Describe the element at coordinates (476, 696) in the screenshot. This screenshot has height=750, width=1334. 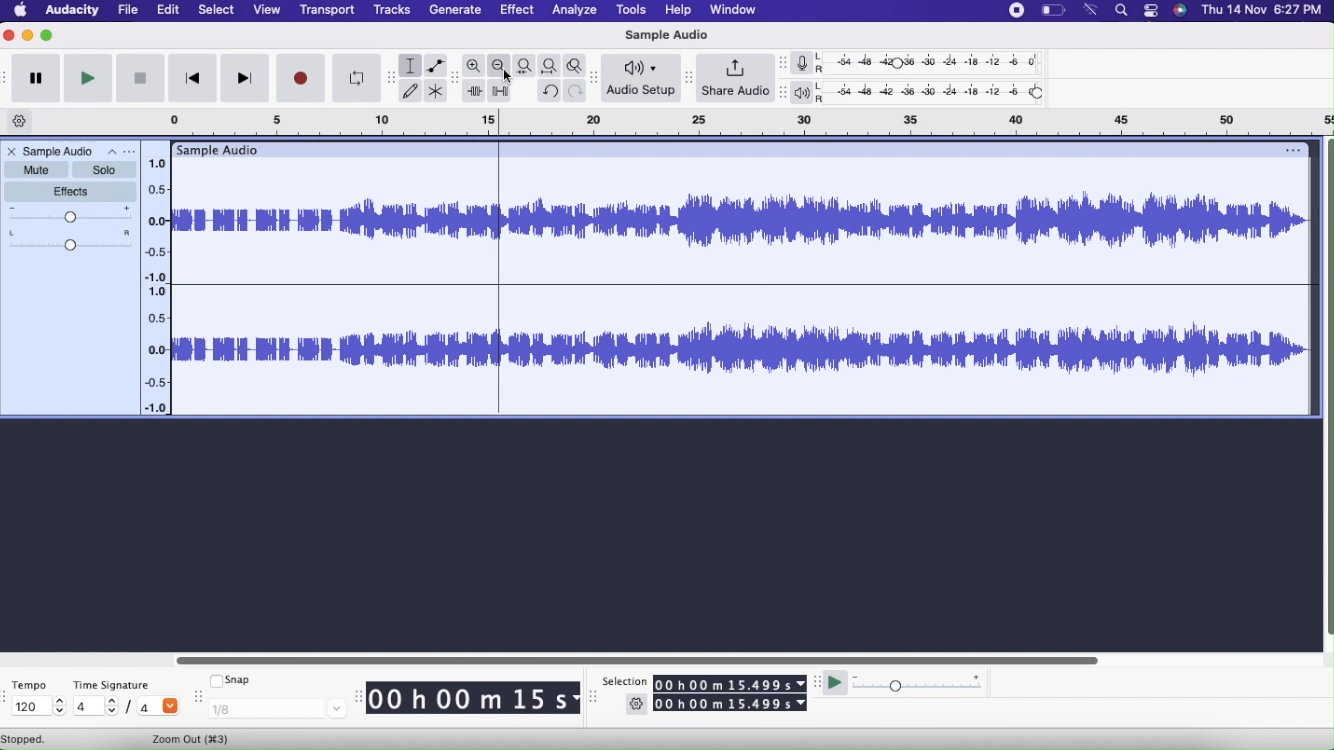
I see `00 h 00 m 15 s` at that location.